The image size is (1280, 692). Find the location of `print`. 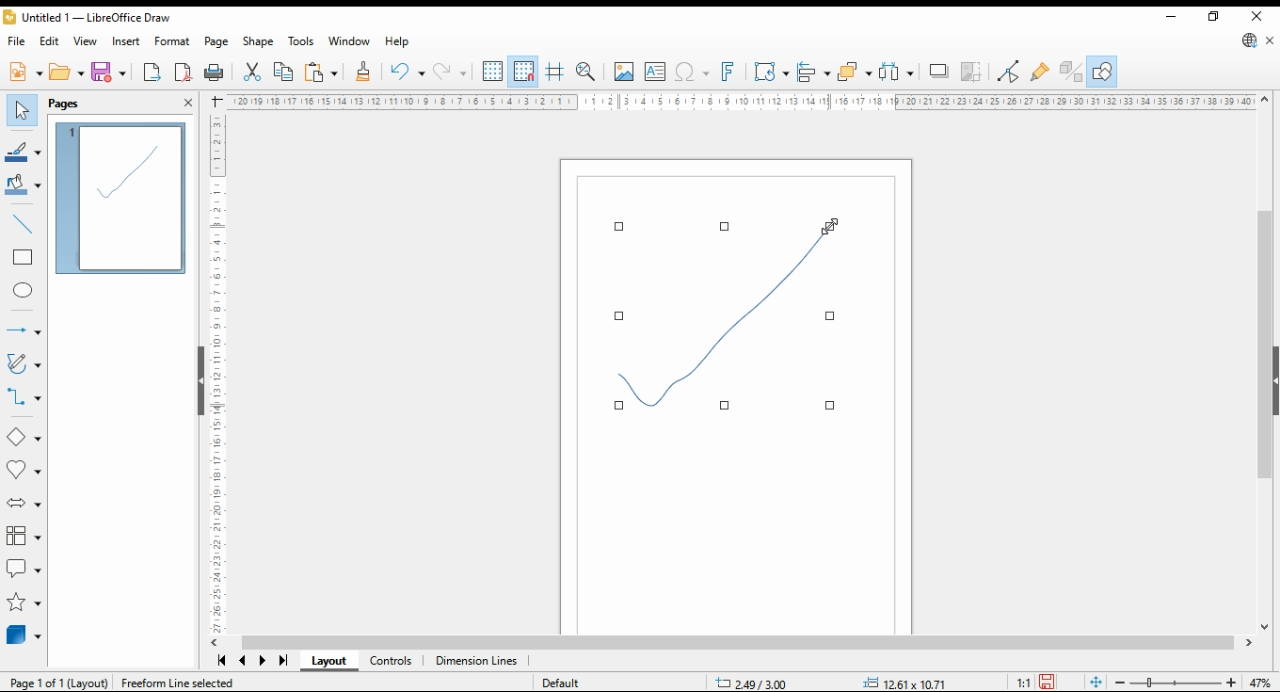

print is located at coordinates (215, 73).